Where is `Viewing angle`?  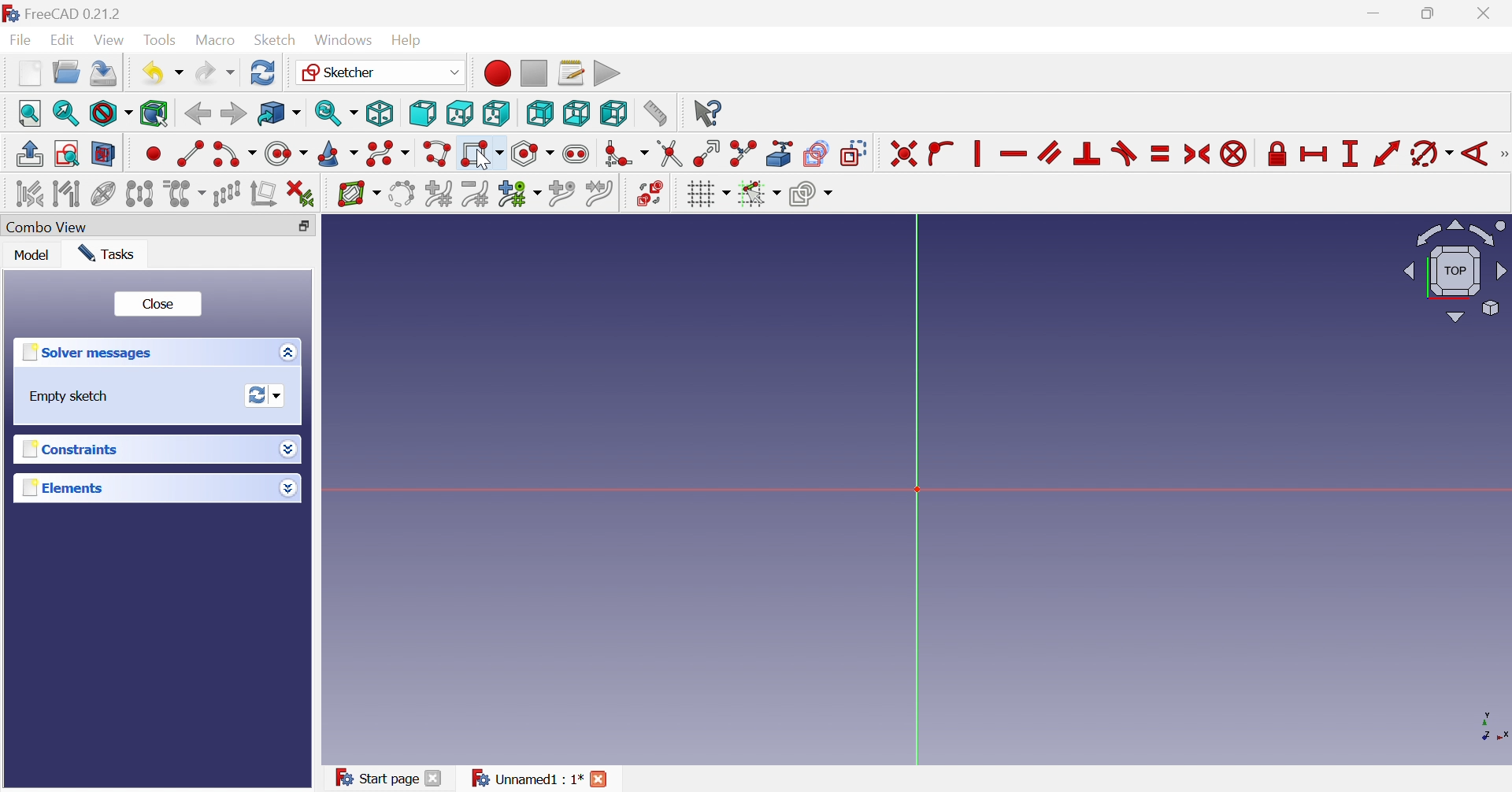 Viewing angle is located at coordinates (1456, 272).